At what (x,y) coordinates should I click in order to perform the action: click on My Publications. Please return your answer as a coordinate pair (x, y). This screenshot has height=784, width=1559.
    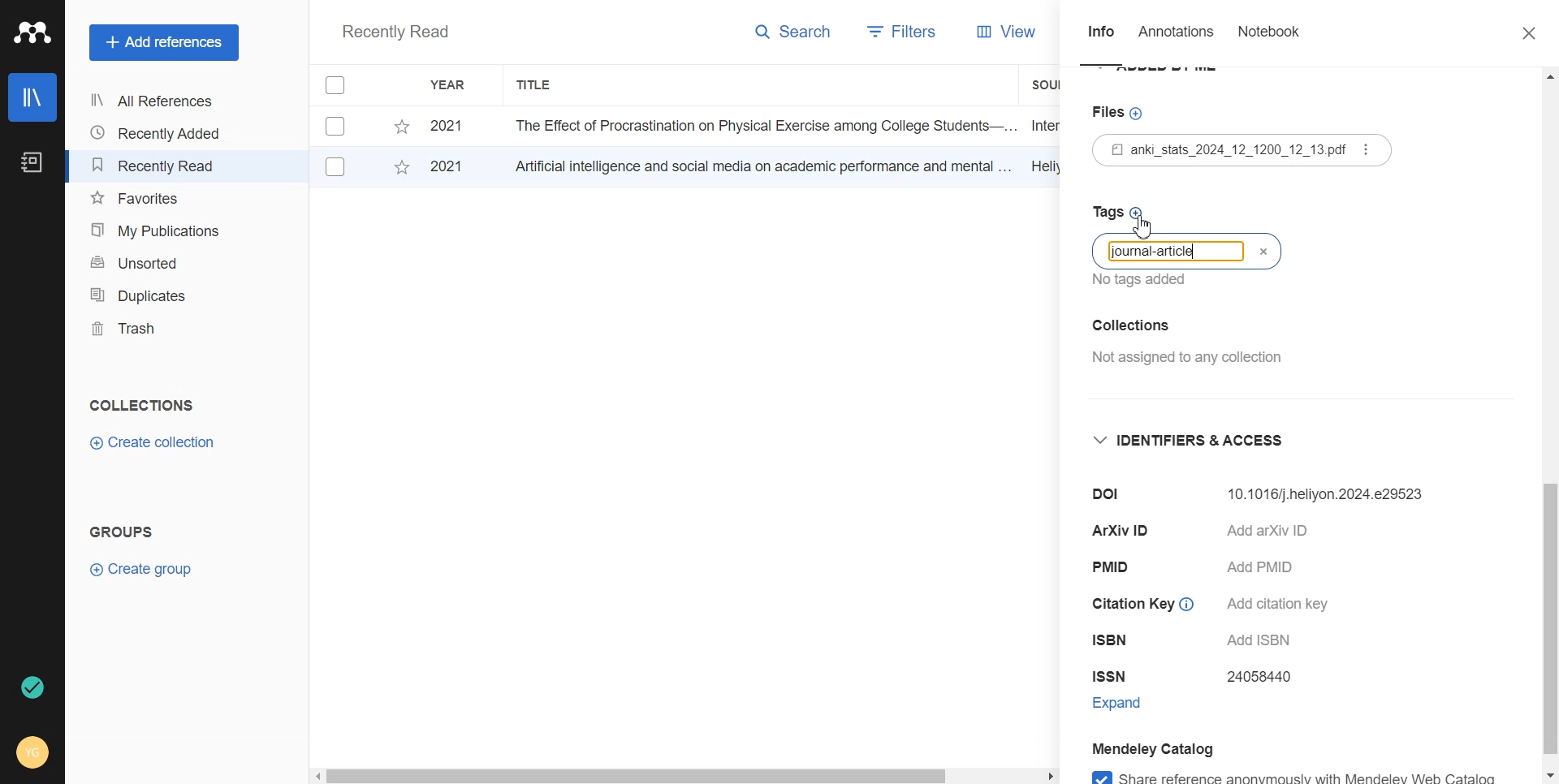
    Looking at the image, I should click on (159, 230).